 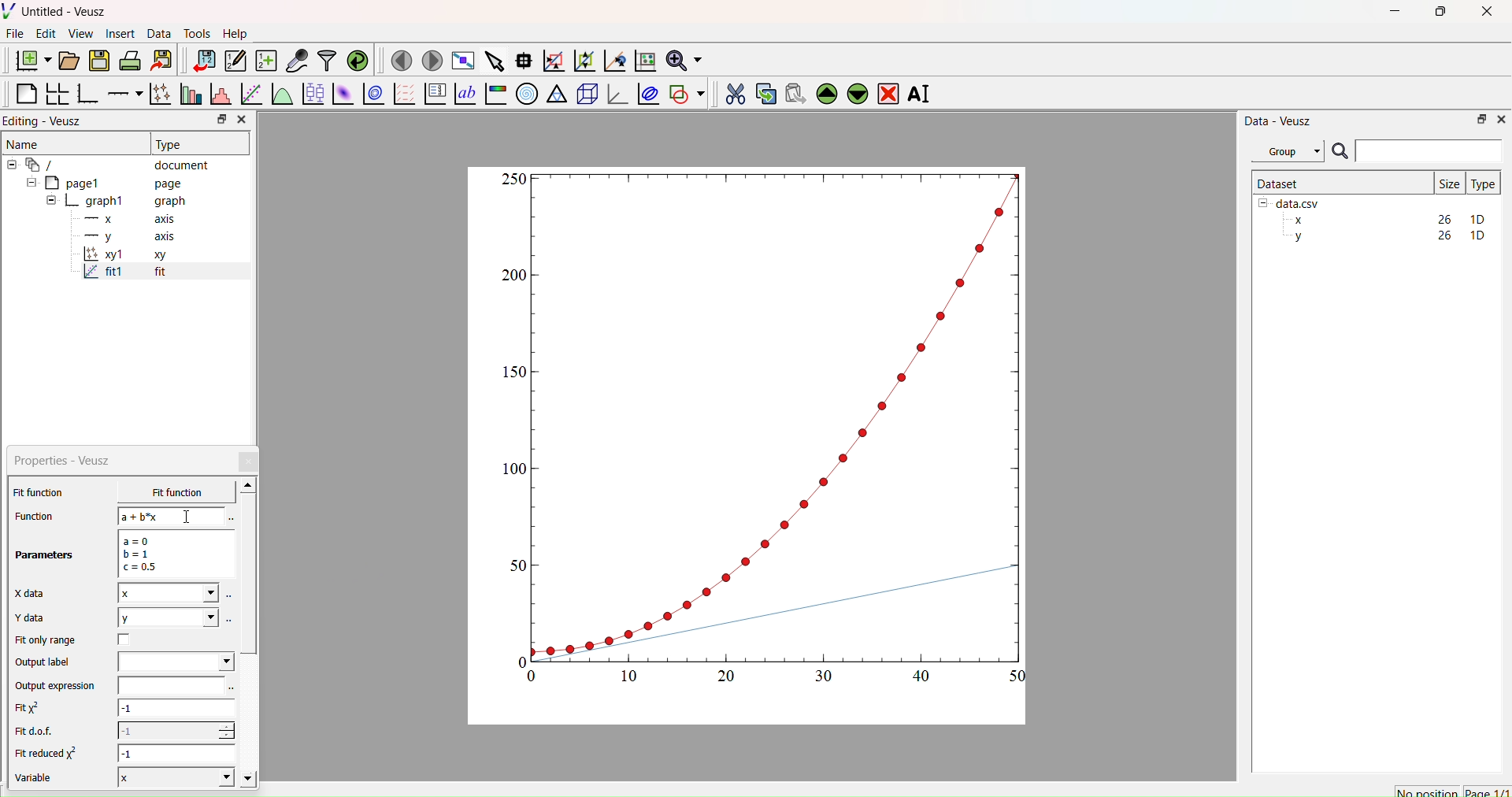 What do you see at coordinates (229, 519) in the screenshot?
I see `Select using dataset browser` at bounding box center [229, 519].